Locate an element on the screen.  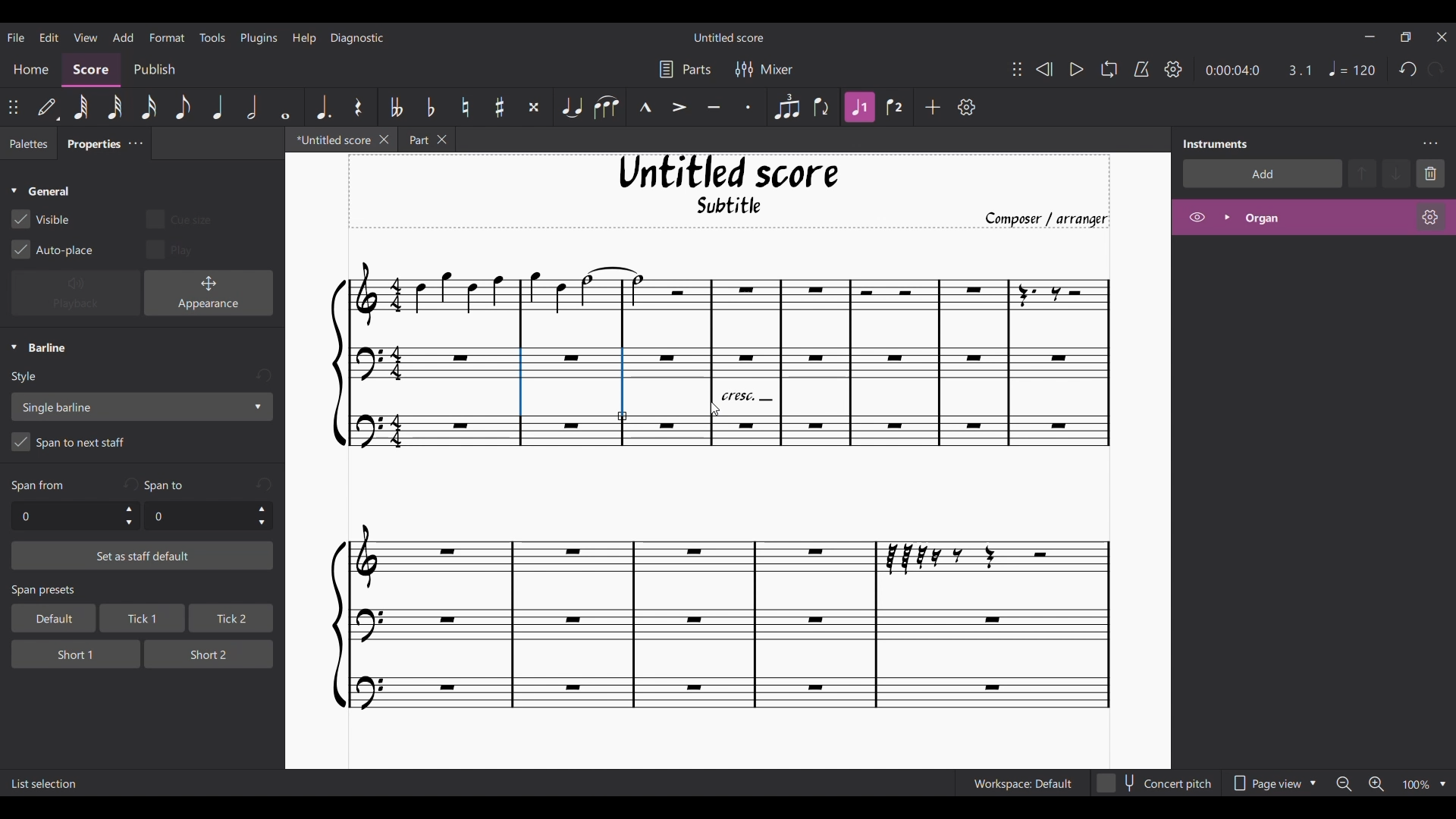
Undo input made is located at coordinates (264, 484).